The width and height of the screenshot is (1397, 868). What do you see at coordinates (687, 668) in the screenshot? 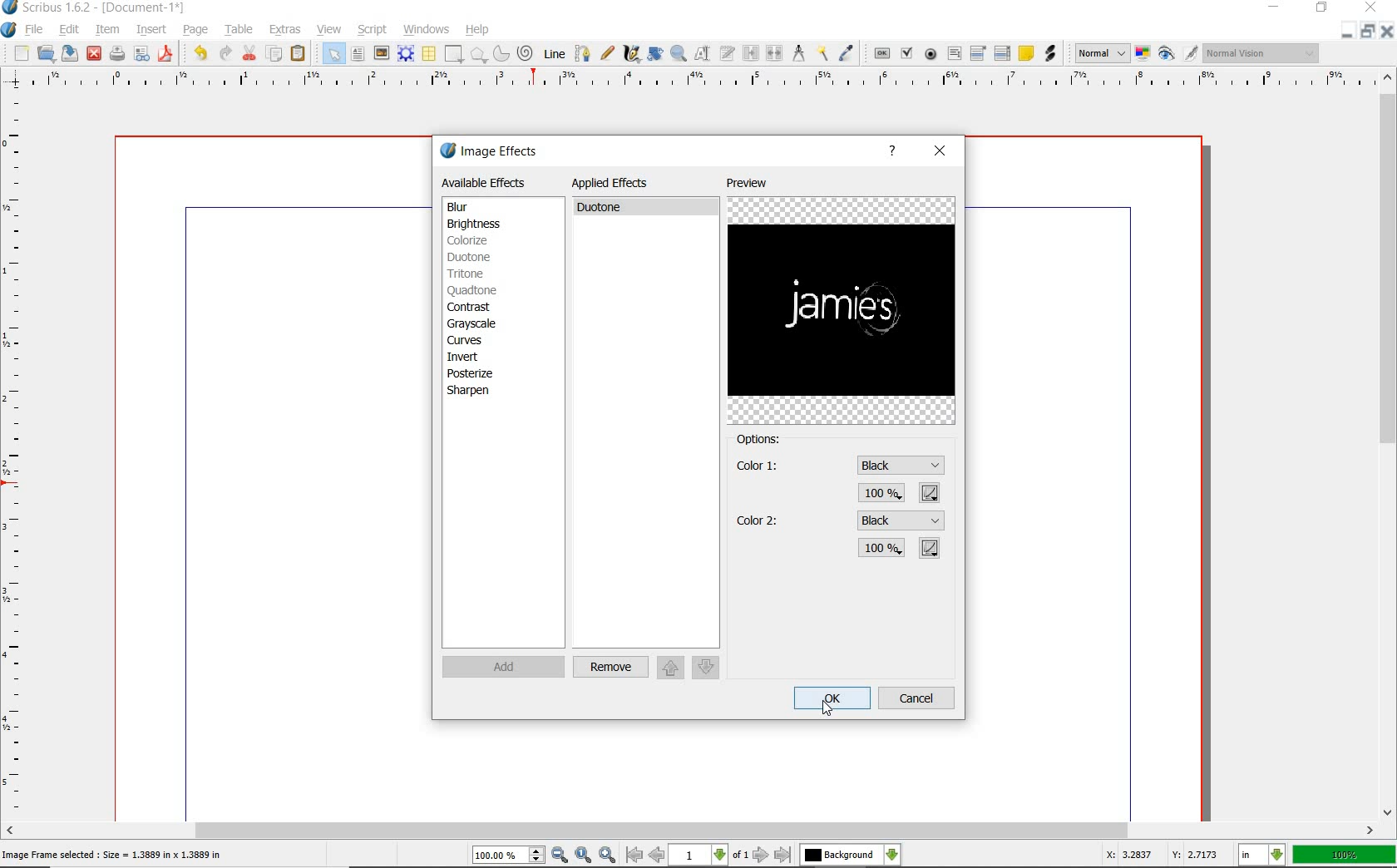
I see `move up/down` at bounding box center [687, 668].